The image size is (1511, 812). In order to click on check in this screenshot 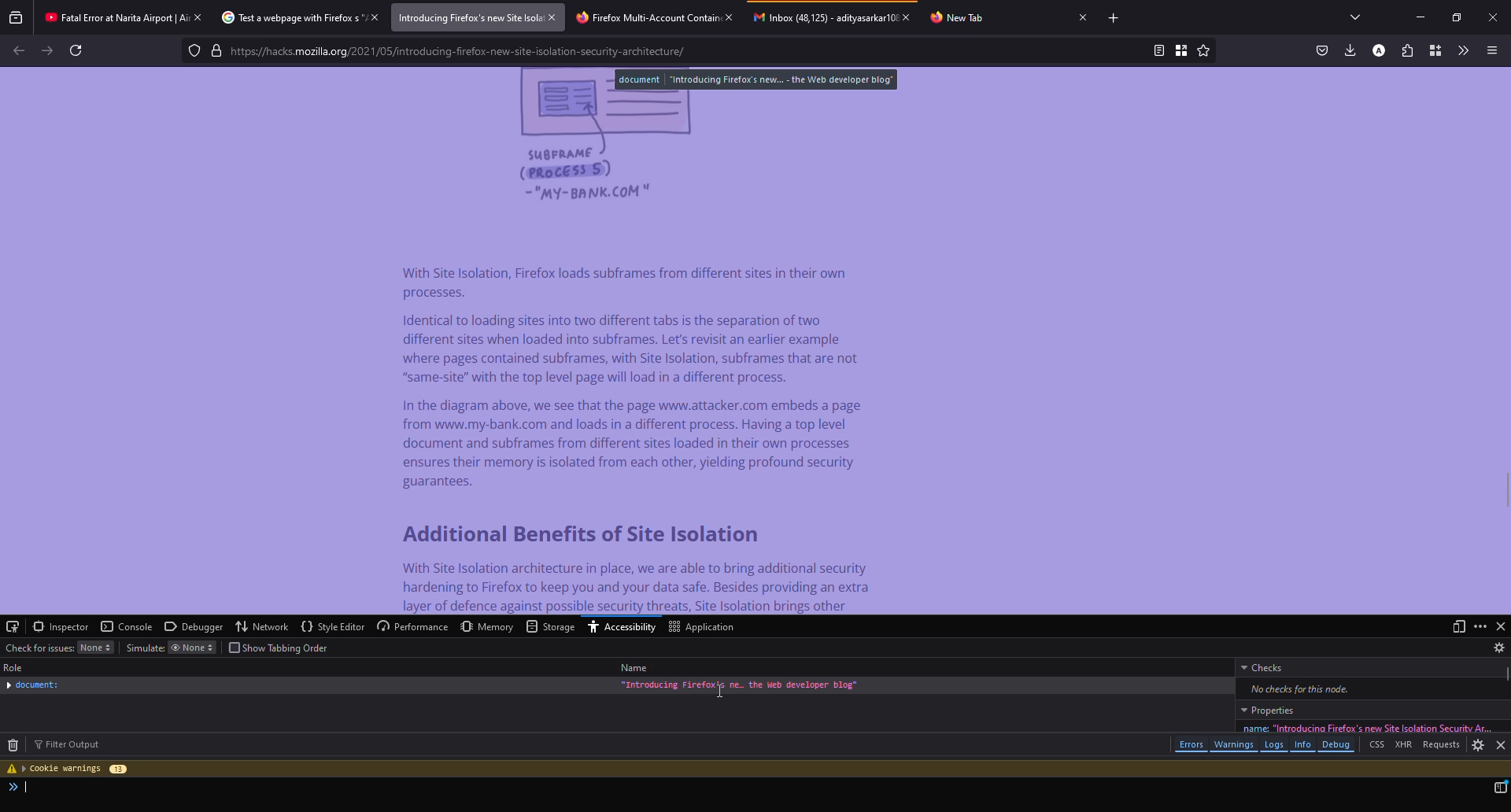, I will do `click(40, 648)`.